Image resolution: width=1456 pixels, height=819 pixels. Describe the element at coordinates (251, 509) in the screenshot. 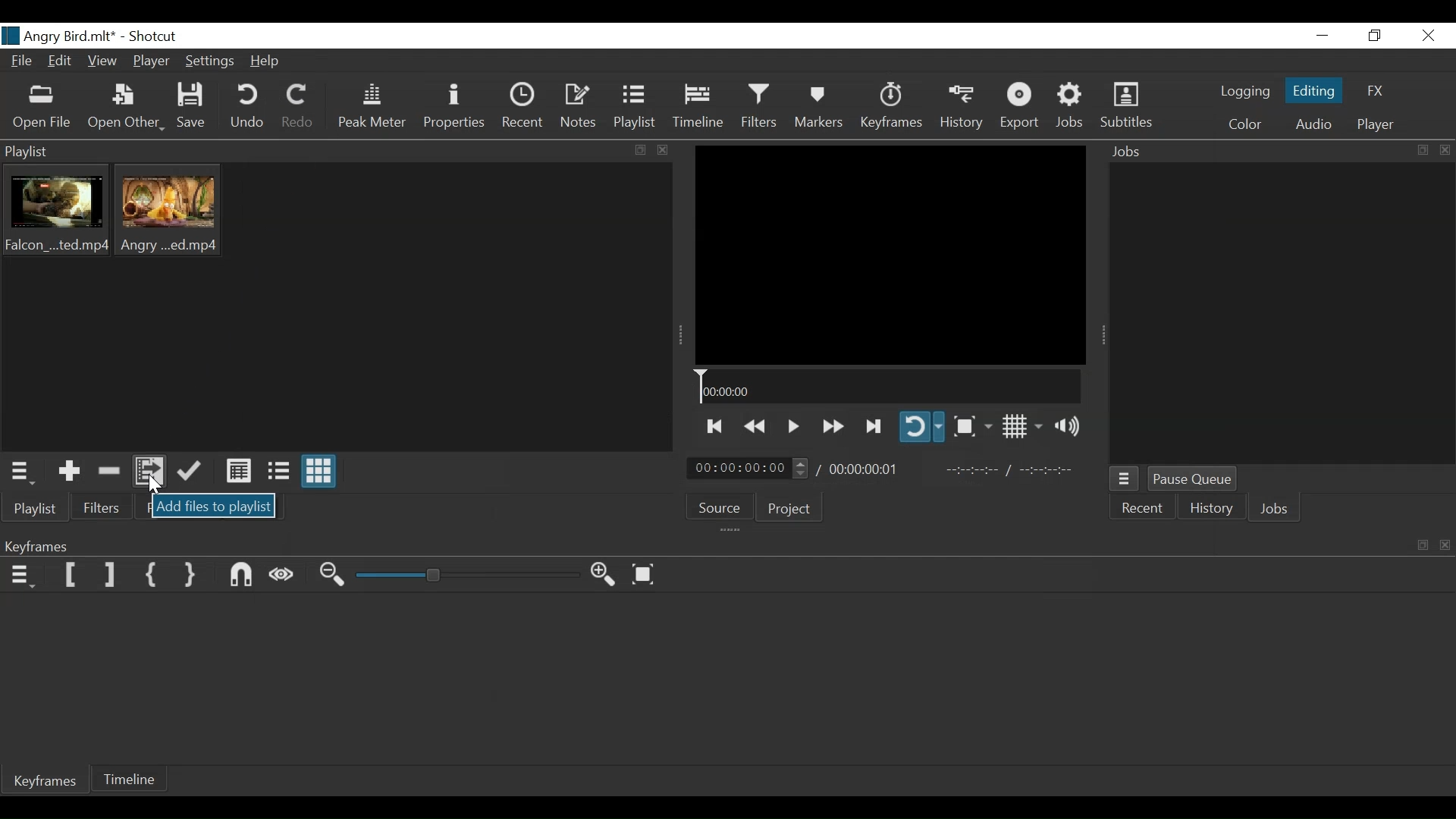

I see `Notes` at that location.